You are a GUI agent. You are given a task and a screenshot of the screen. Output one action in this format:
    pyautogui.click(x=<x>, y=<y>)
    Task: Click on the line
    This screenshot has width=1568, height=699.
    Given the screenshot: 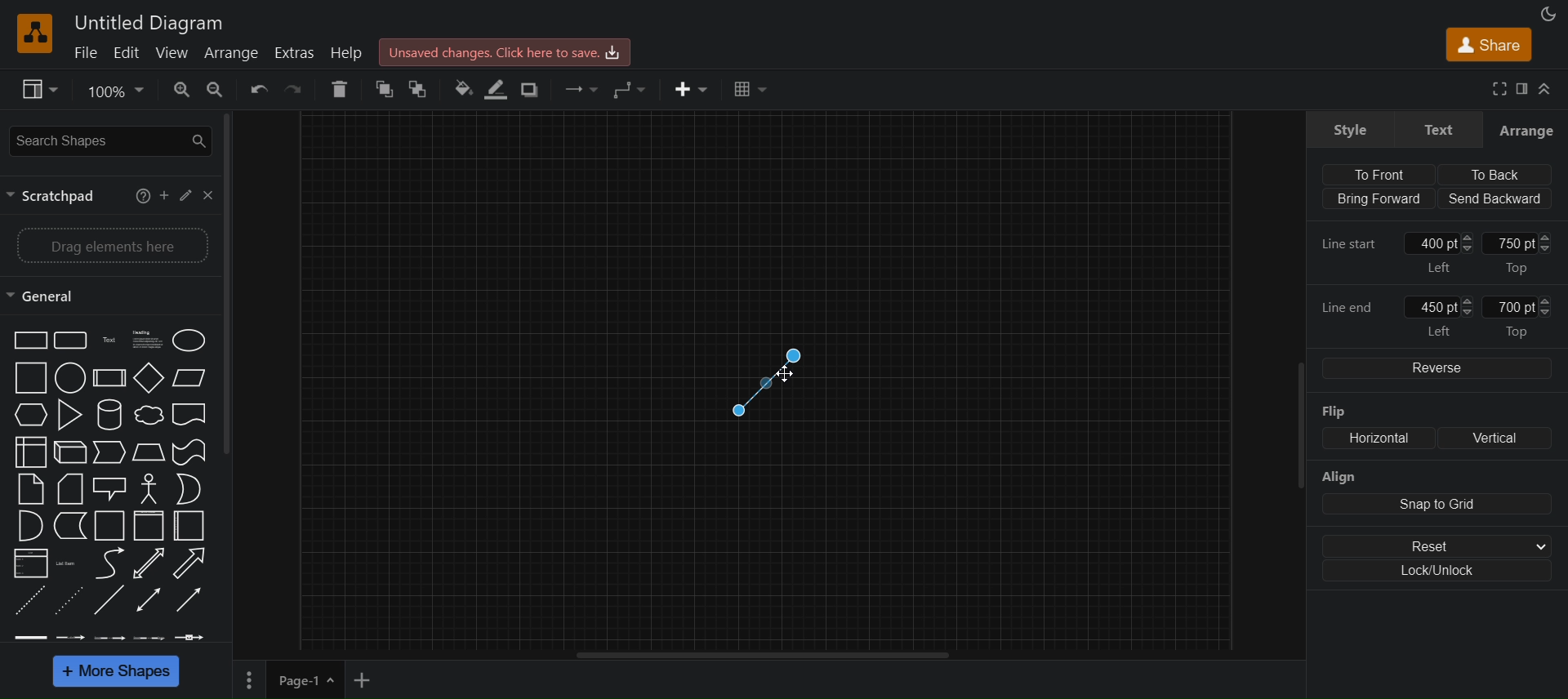 What is the action you would take?
    pyautogui.click(x=109, y=602)
    